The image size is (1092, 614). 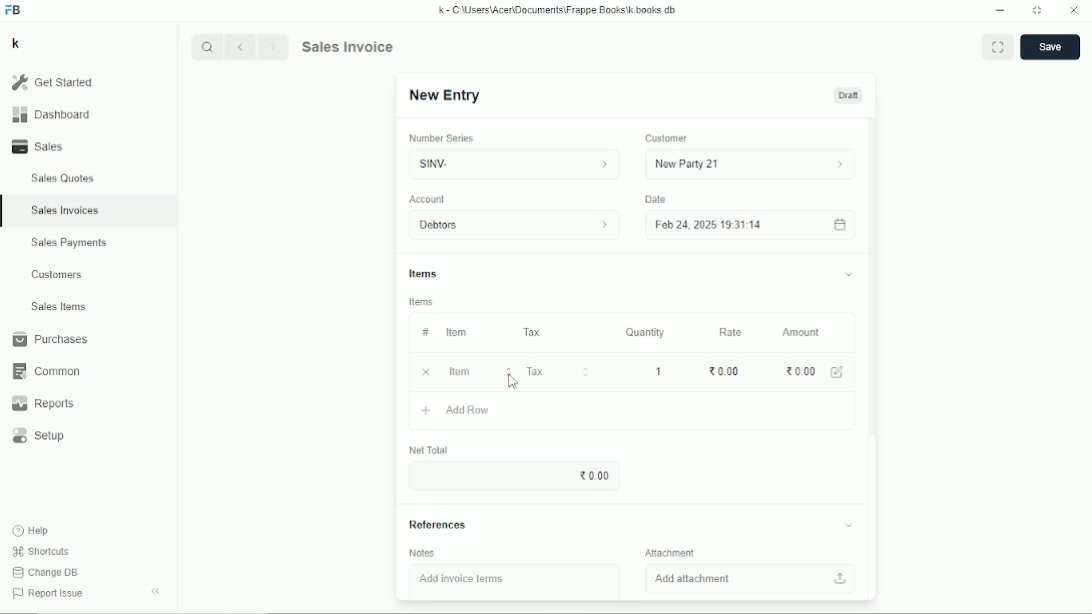 I want to click on FB, so click(x=14, y=10).